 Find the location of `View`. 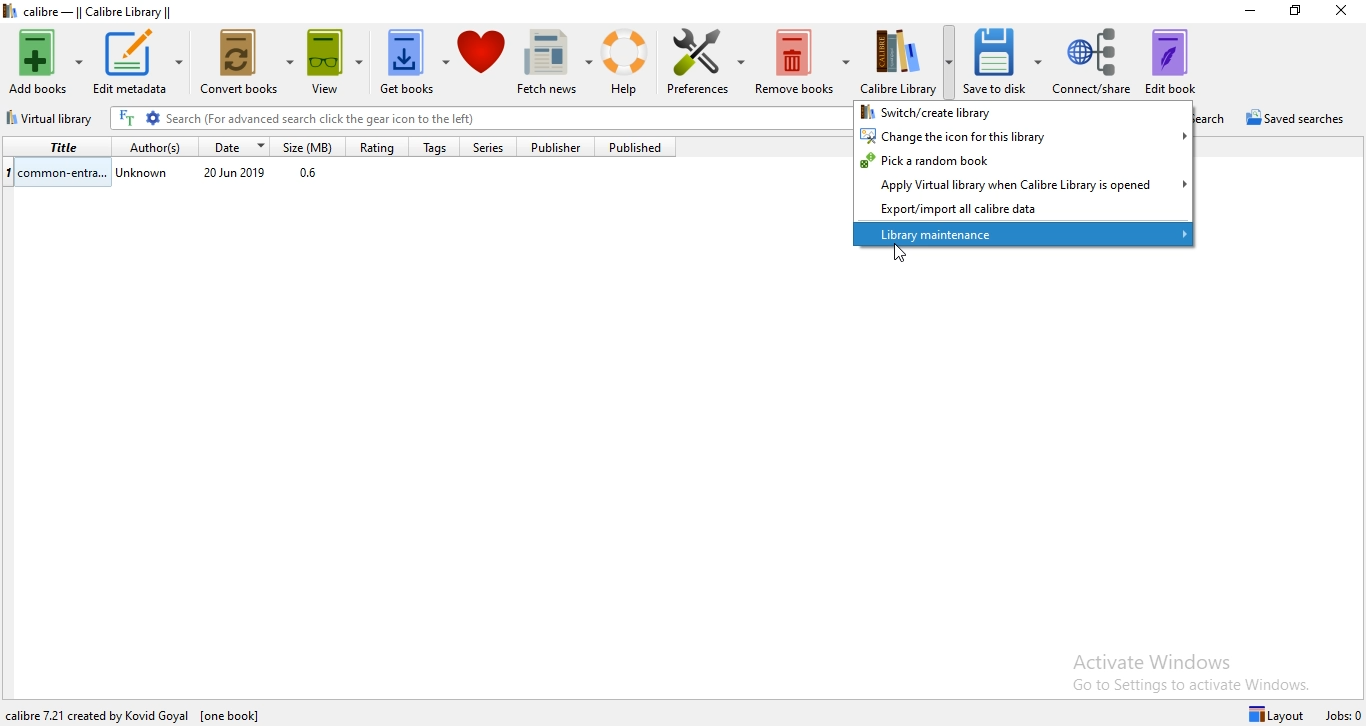

View is located at coordinates (340, 65).